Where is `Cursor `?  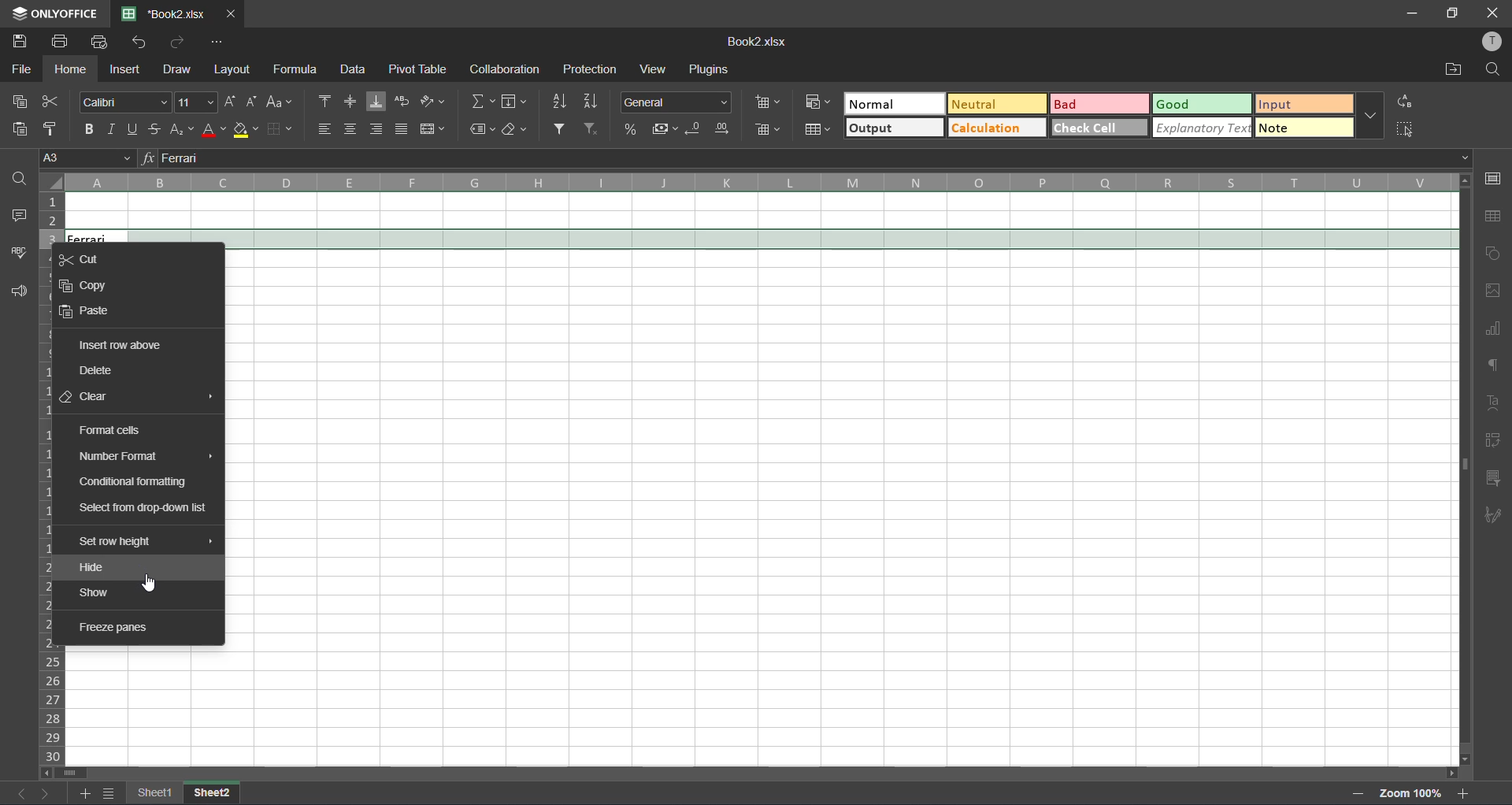 Cursor  is located at coordinates (151, 584).